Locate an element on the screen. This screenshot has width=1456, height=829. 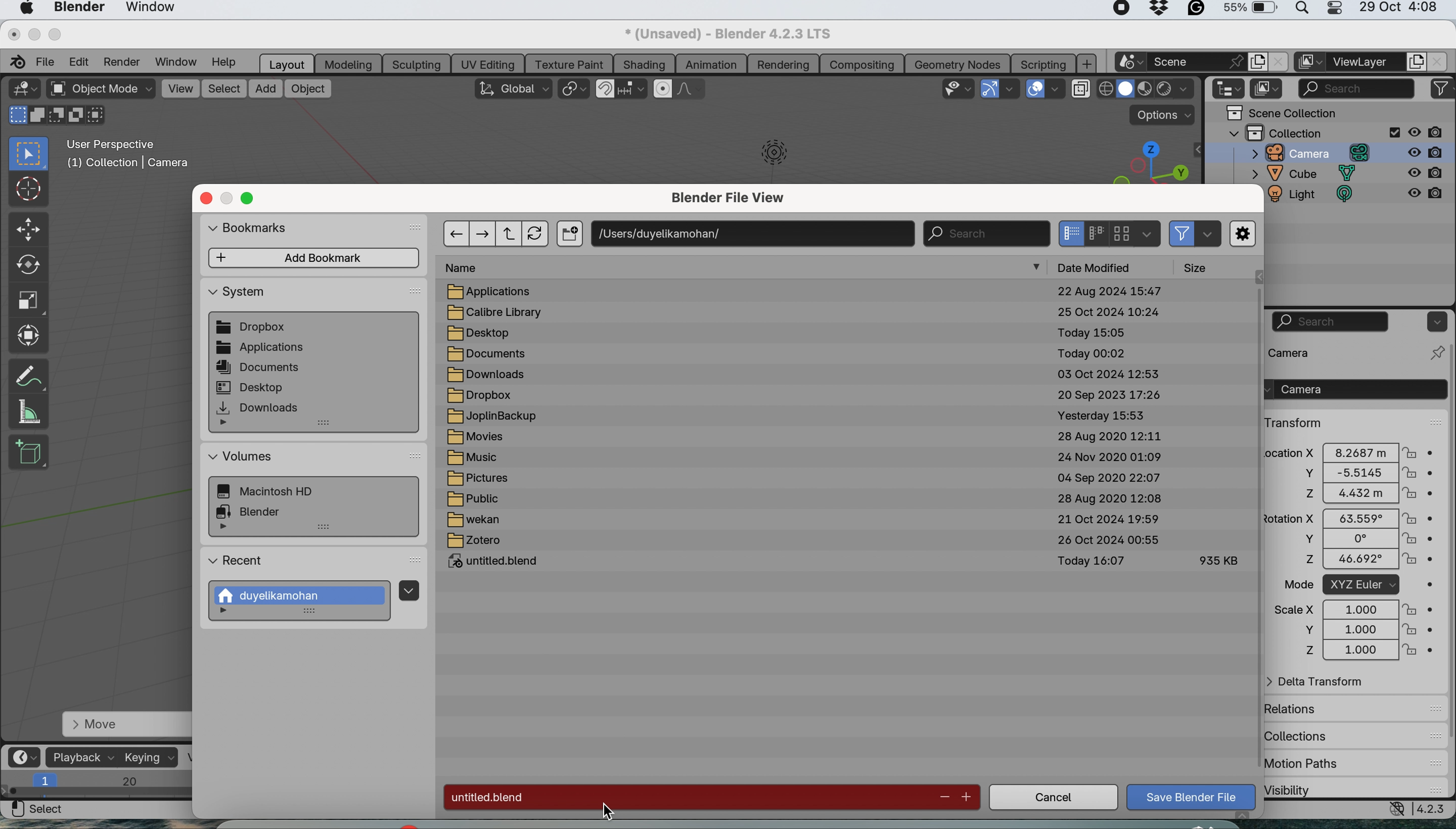
minimise is located at coordinates (31, 34).